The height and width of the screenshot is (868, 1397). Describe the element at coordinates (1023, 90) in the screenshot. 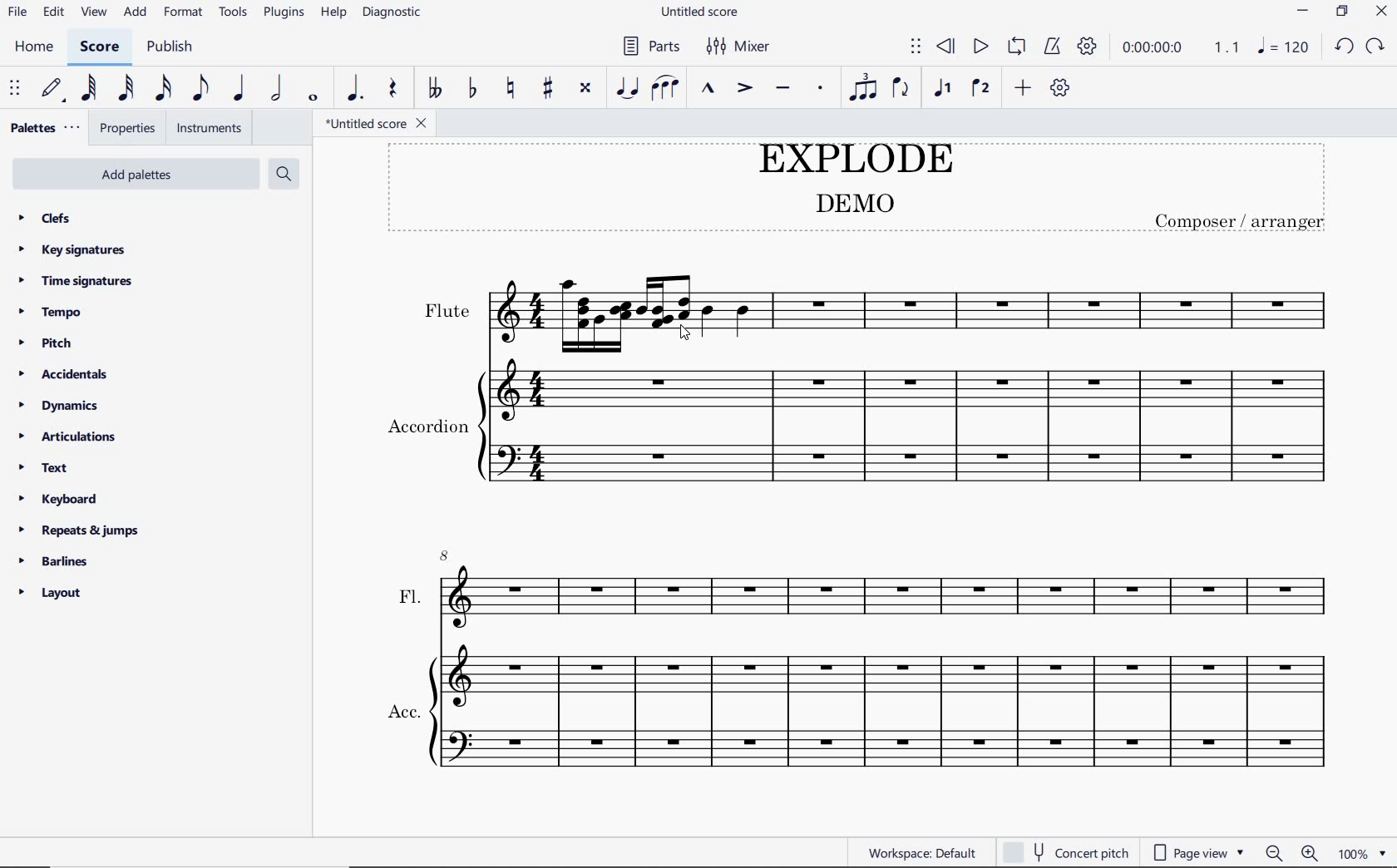

I see `add` at that location.